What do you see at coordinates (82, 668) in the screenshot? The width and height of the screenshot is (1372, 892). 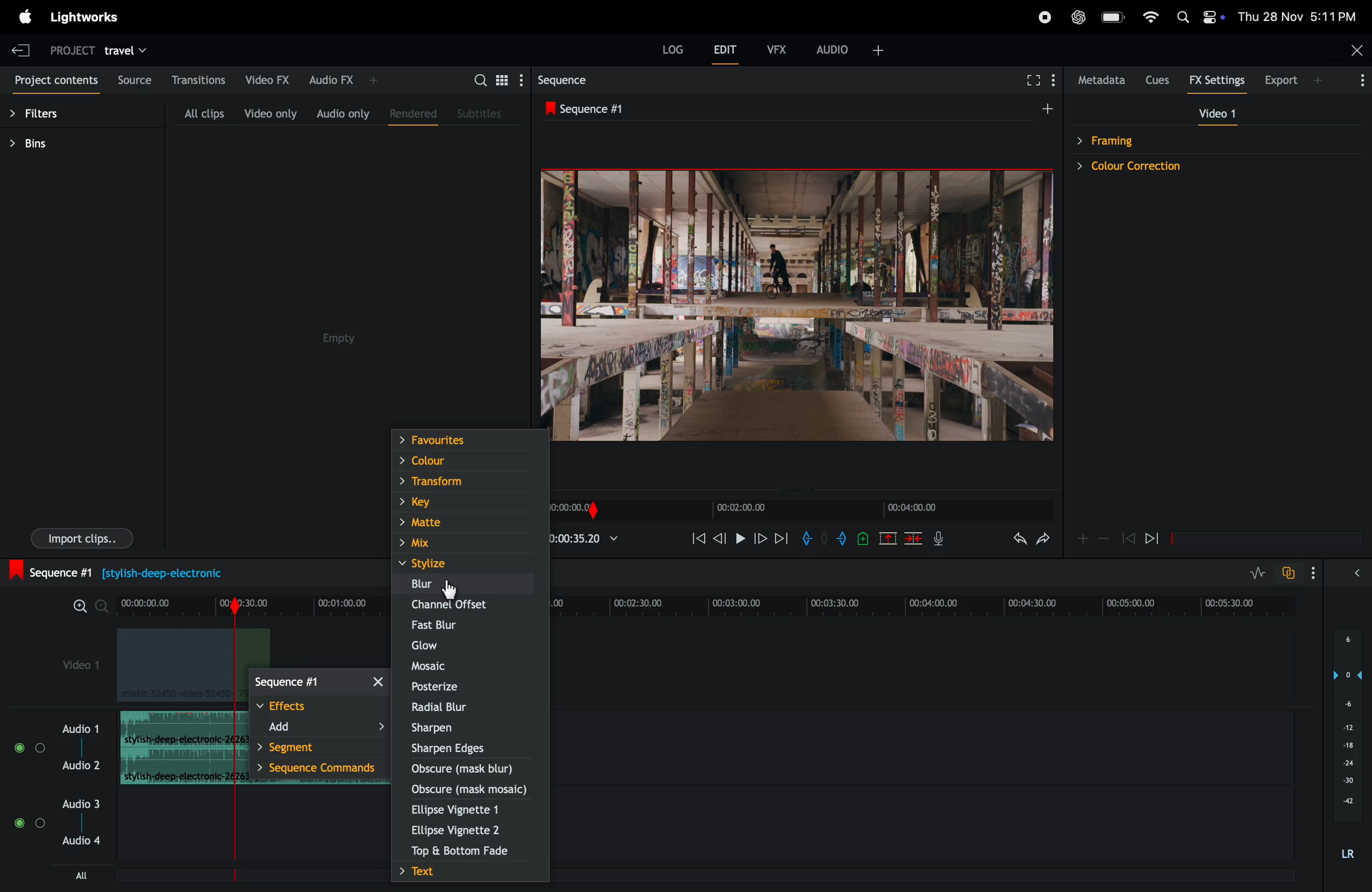 I see `video 1` at bounding box center [82, 668].